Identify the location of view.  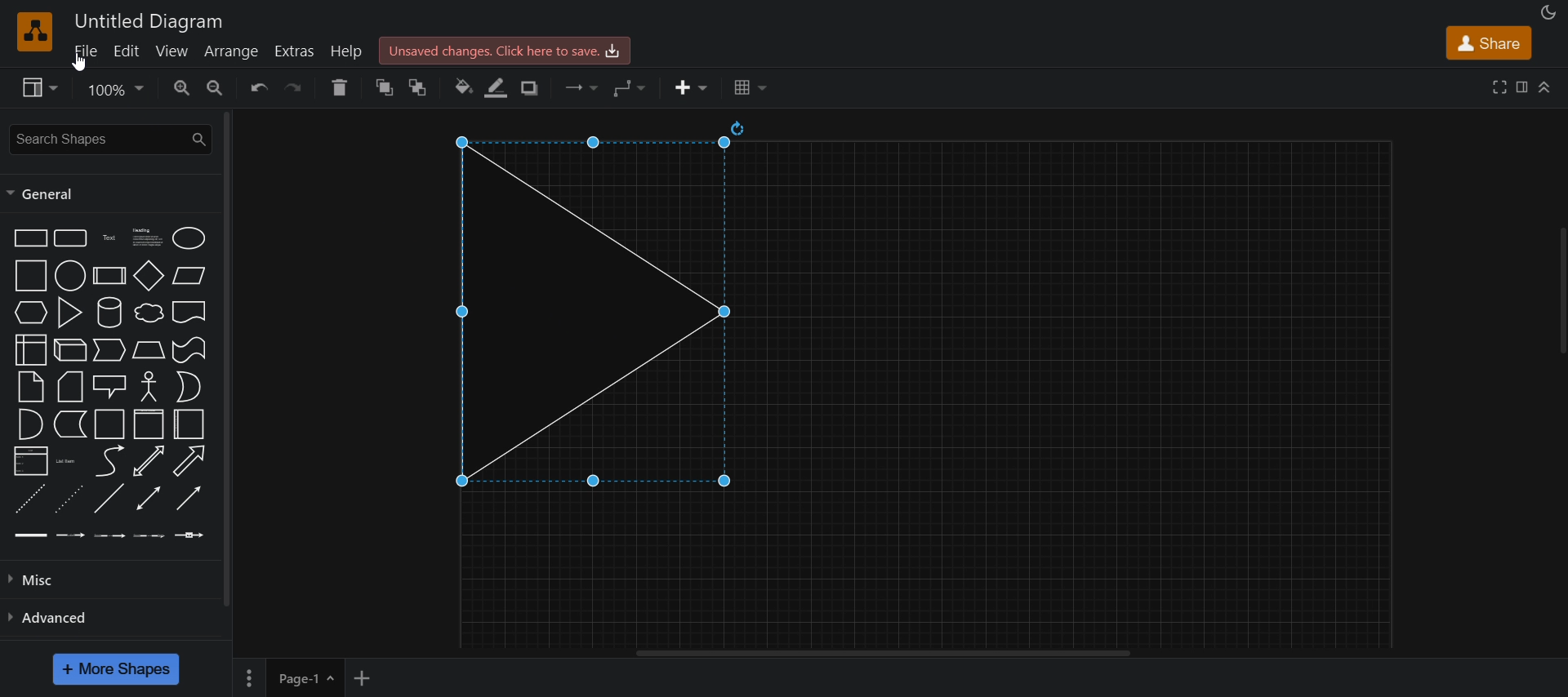
(173, 51).